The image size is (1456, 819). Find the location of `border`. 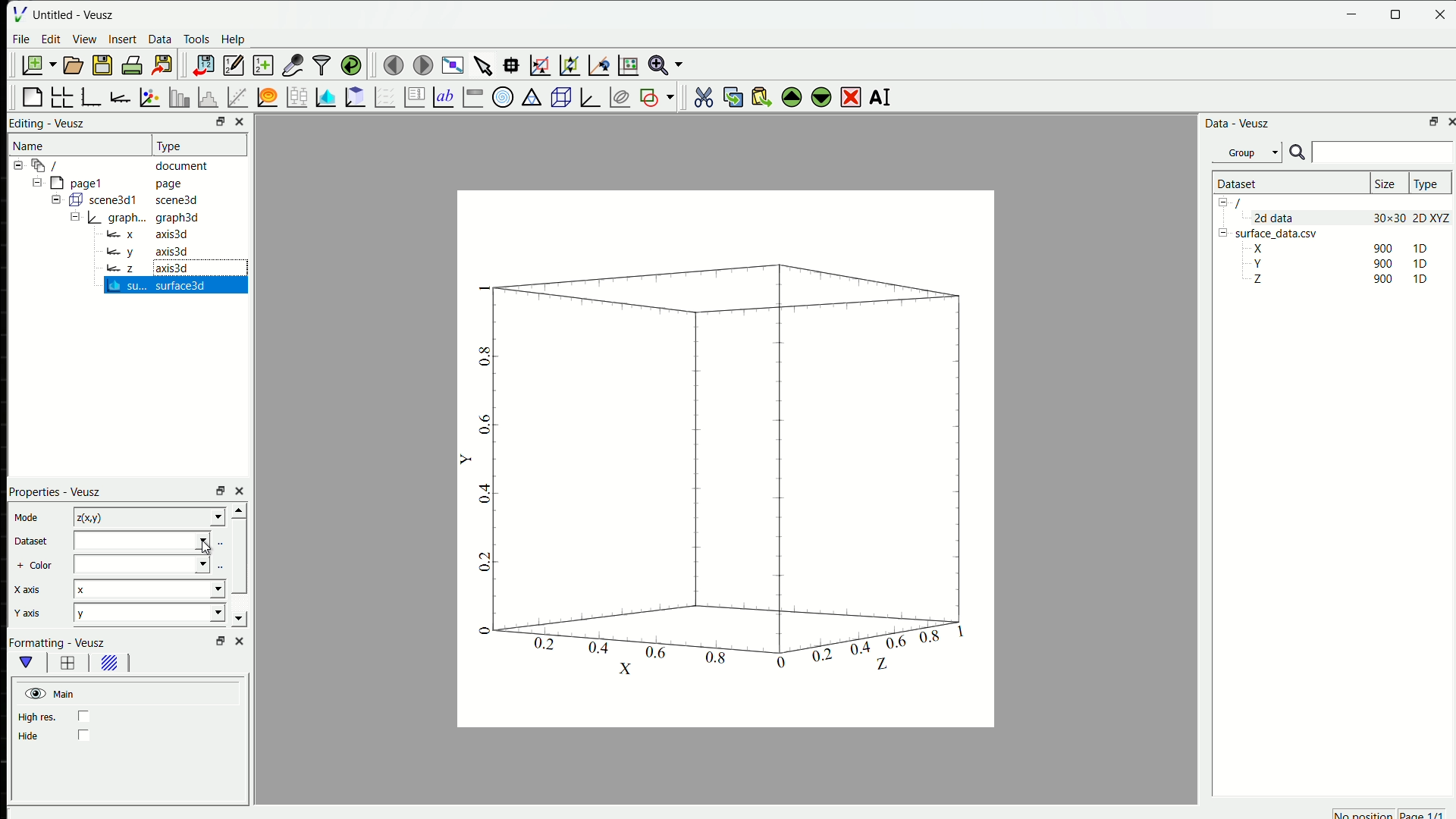

border is located at coordinates (67, 663).